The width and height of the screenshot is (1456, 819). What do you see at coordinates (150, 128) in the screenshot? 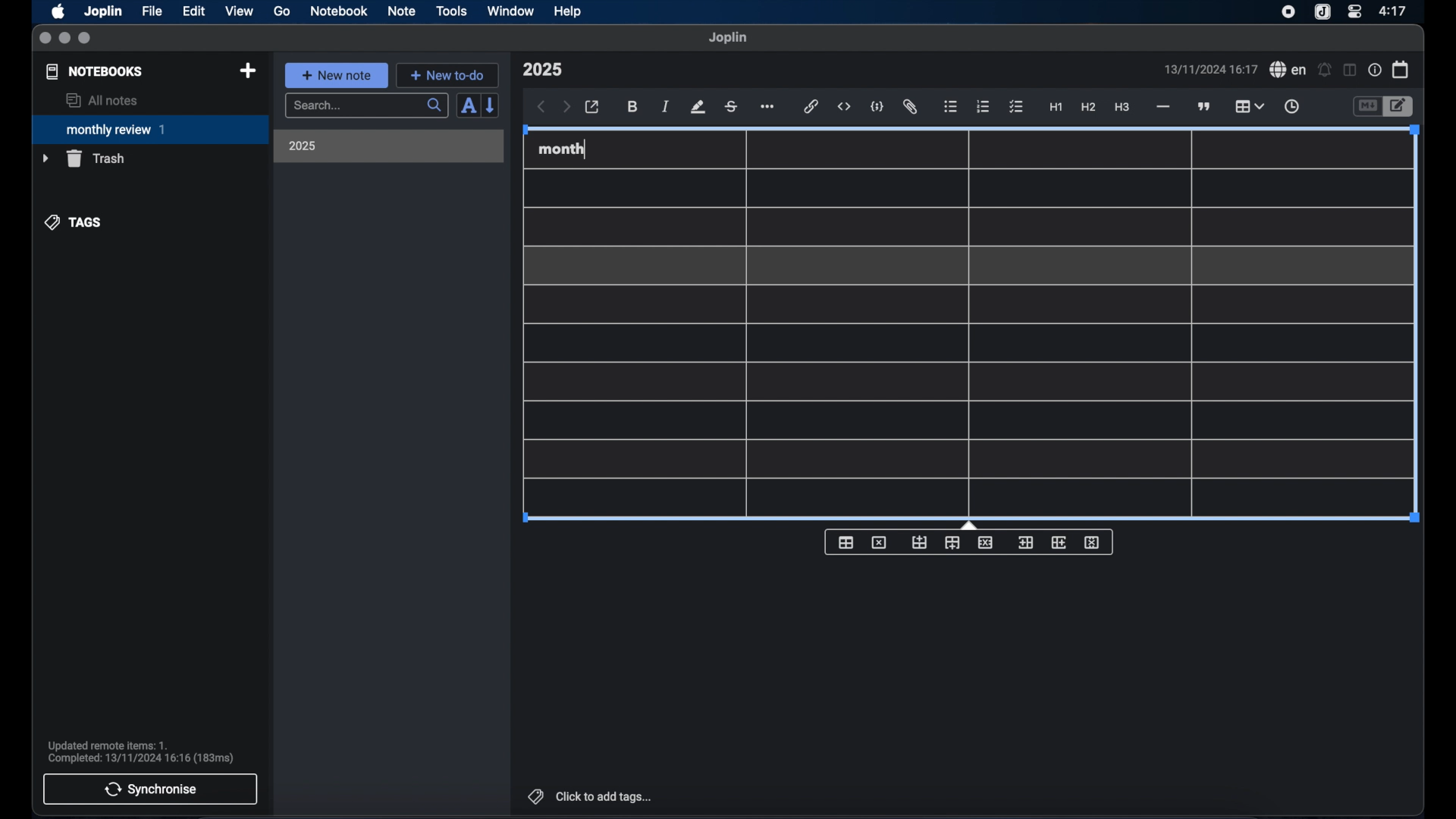
I see `monthly review` at bounding box center [150, 128].